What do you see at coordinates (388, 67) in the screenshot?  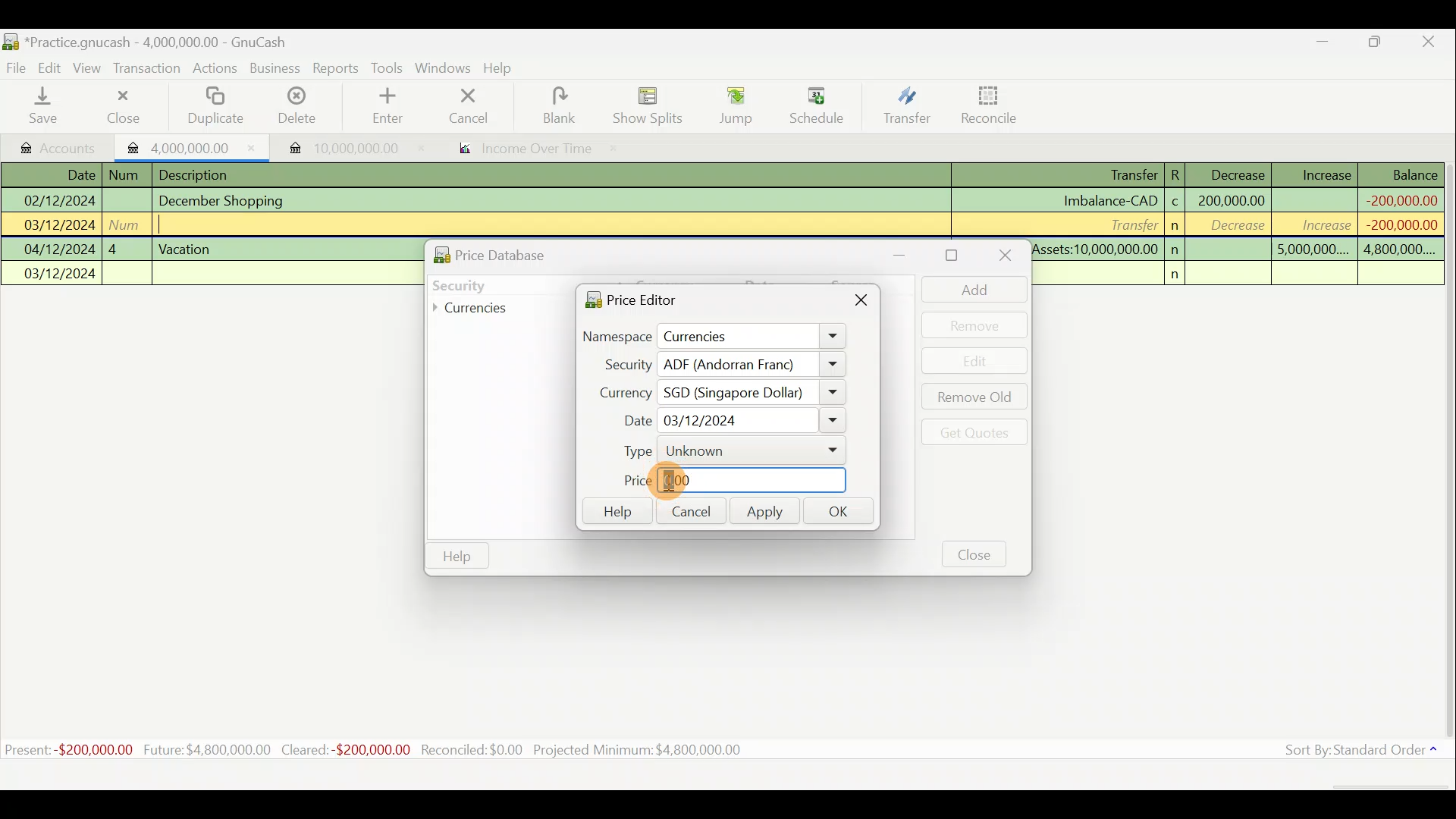 I see `Tools` at bounding box center [388, 67].